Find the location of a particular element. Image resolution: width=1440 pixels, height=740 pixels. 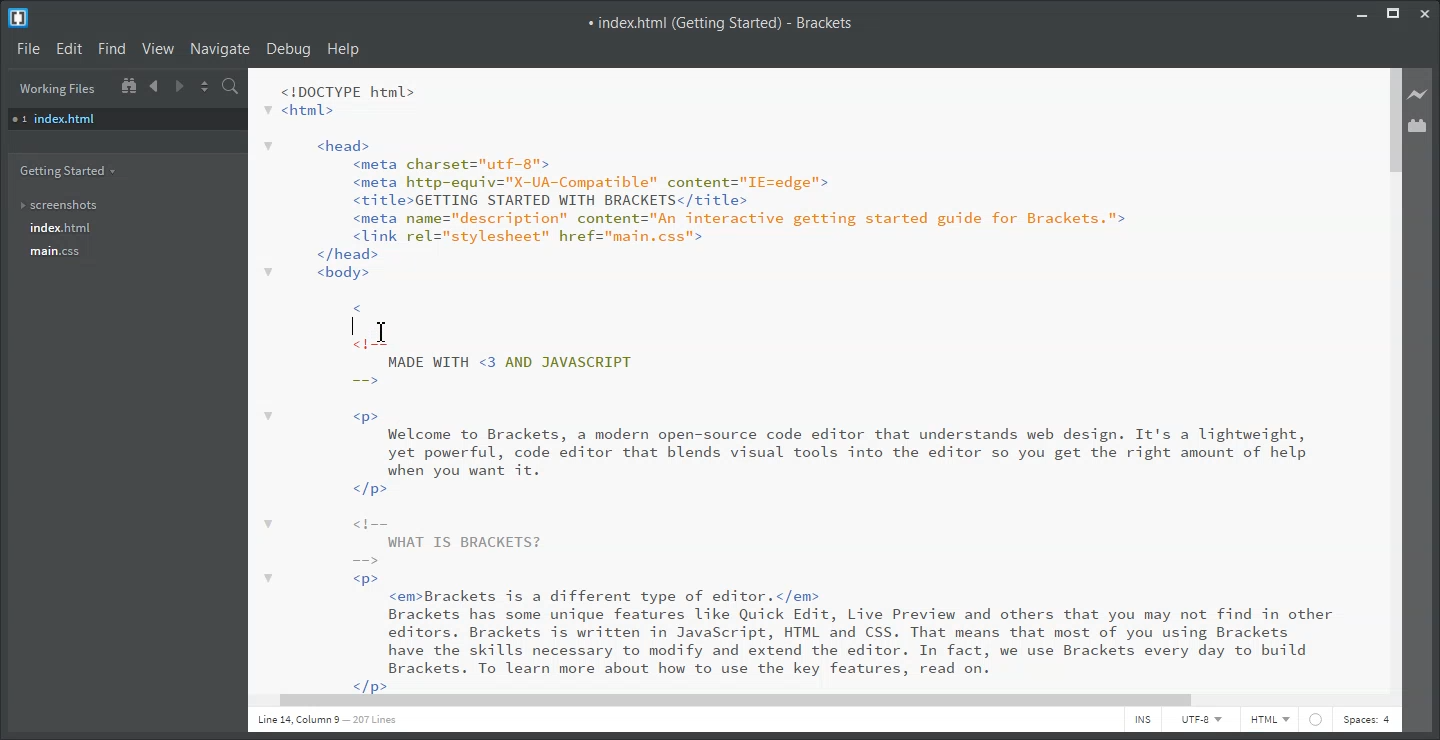

UTF-8 is located at coordinates (1203, 721).